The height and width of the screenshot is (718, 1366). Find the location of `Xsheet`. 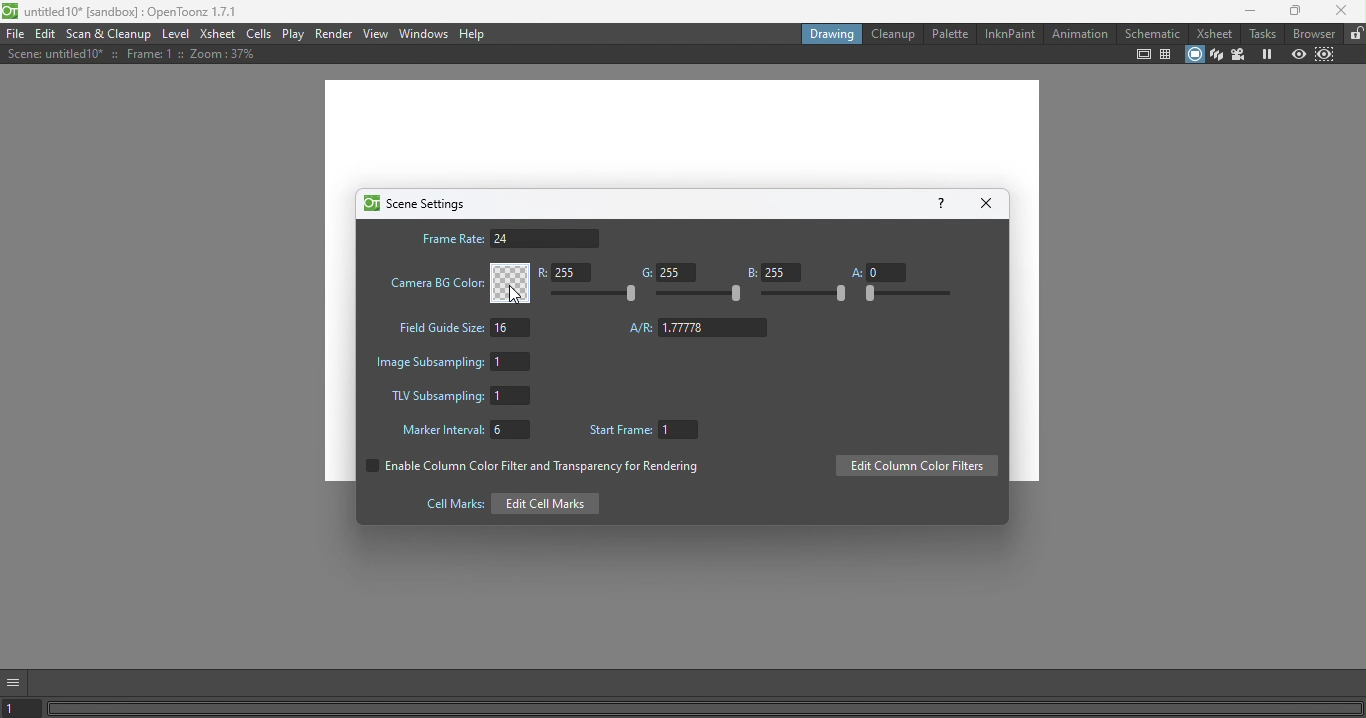

Xsheet is located at coordinates (216, 34).